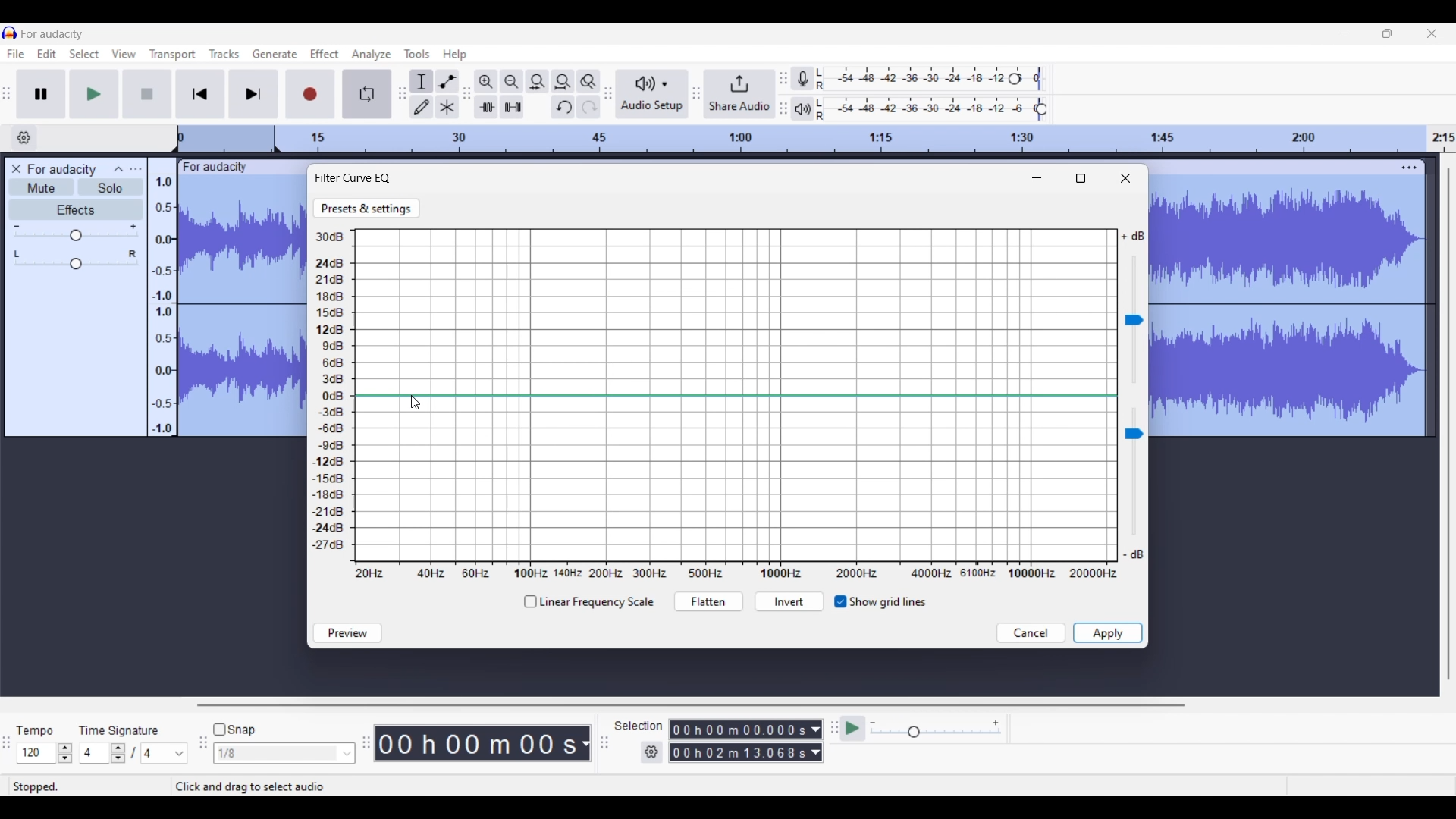 This screenshot has width=1456, height=819. Describe the element at coordinates (165, 754) in the screenshot. I see `Max. time signature options` at that location.